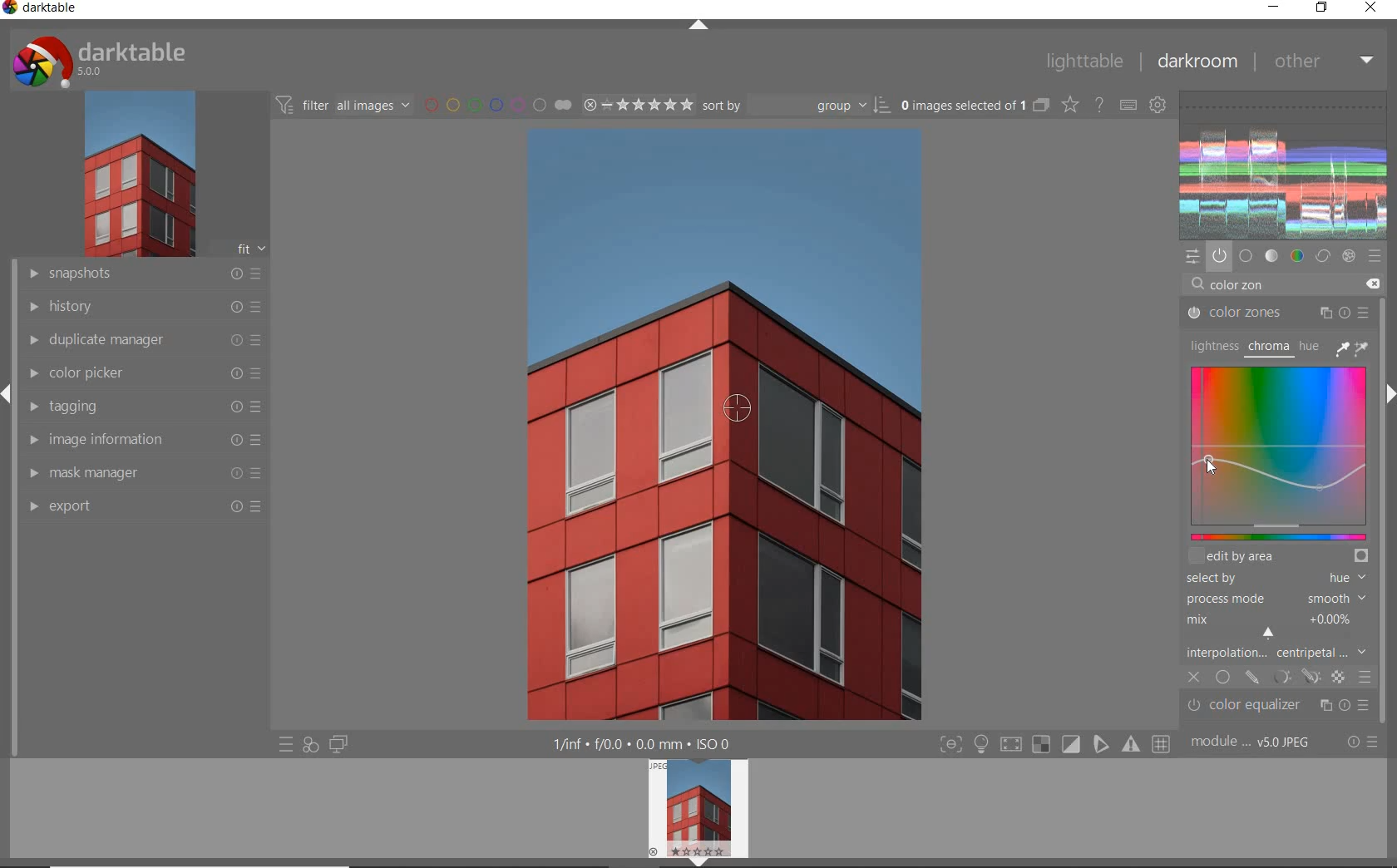 This screenshot has height=868, width=1397. Describe the element at coordinates (1282, 454) in the screenshot. I see `MAP` at that location.